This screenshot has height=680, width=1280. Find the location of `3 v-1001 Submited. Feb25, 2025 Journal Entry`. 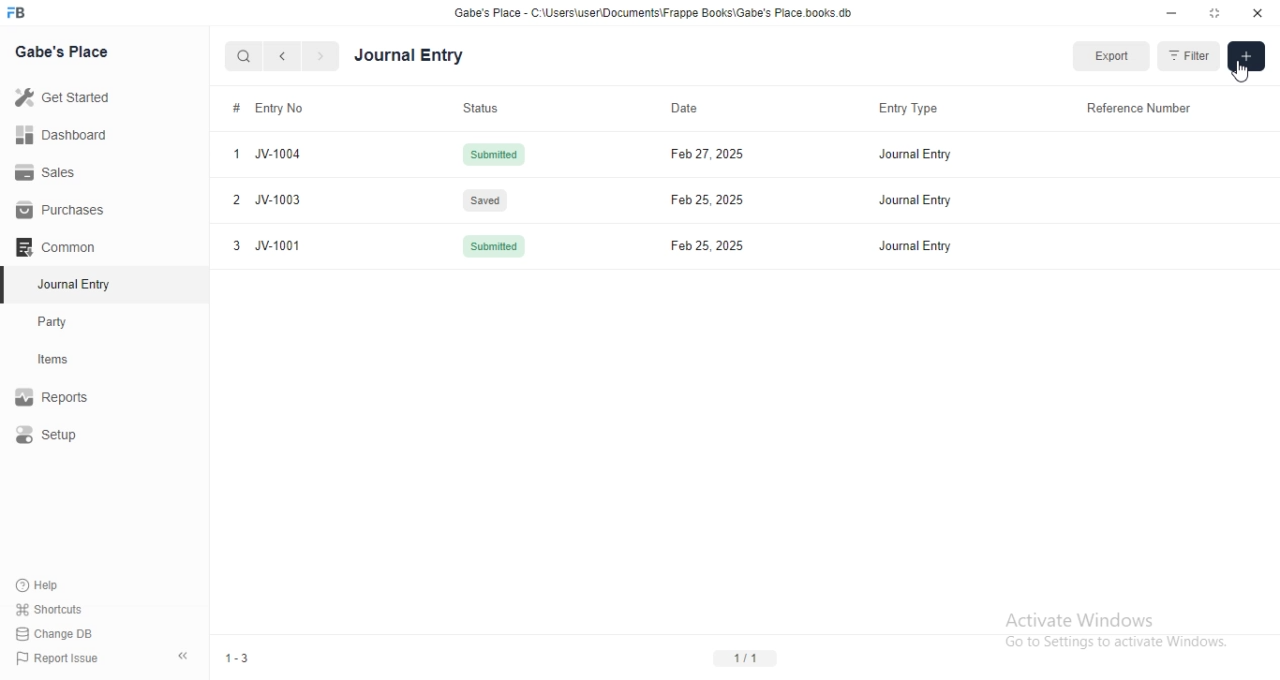

3 v-1001 Submited. Feb25, 2025 Journal Entry is located at coordinates (739, 245).